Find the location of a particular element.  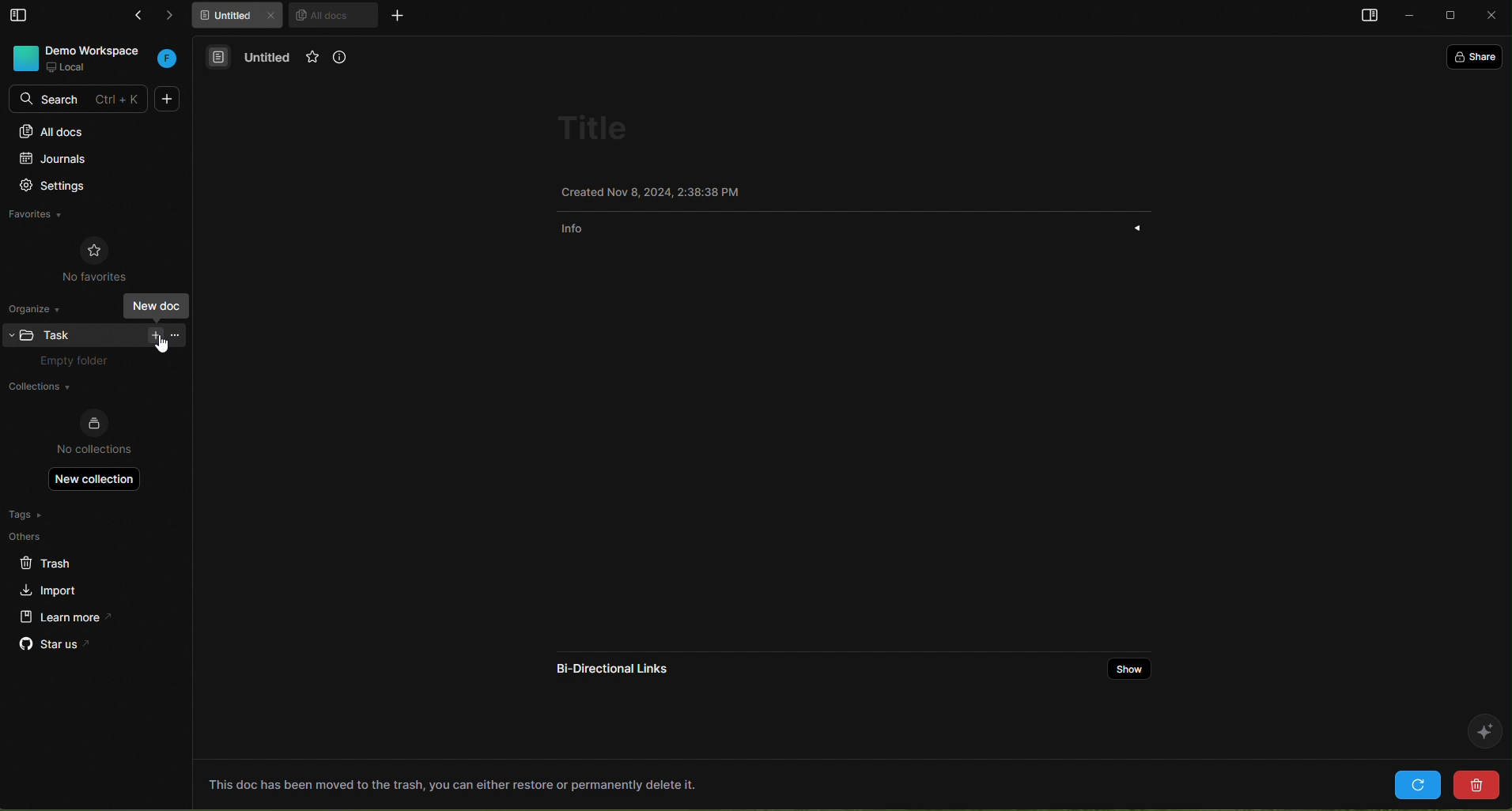

This doc has been moved to the trash, you can either restore or permanently delete it. is located at coordinates (453, 783).